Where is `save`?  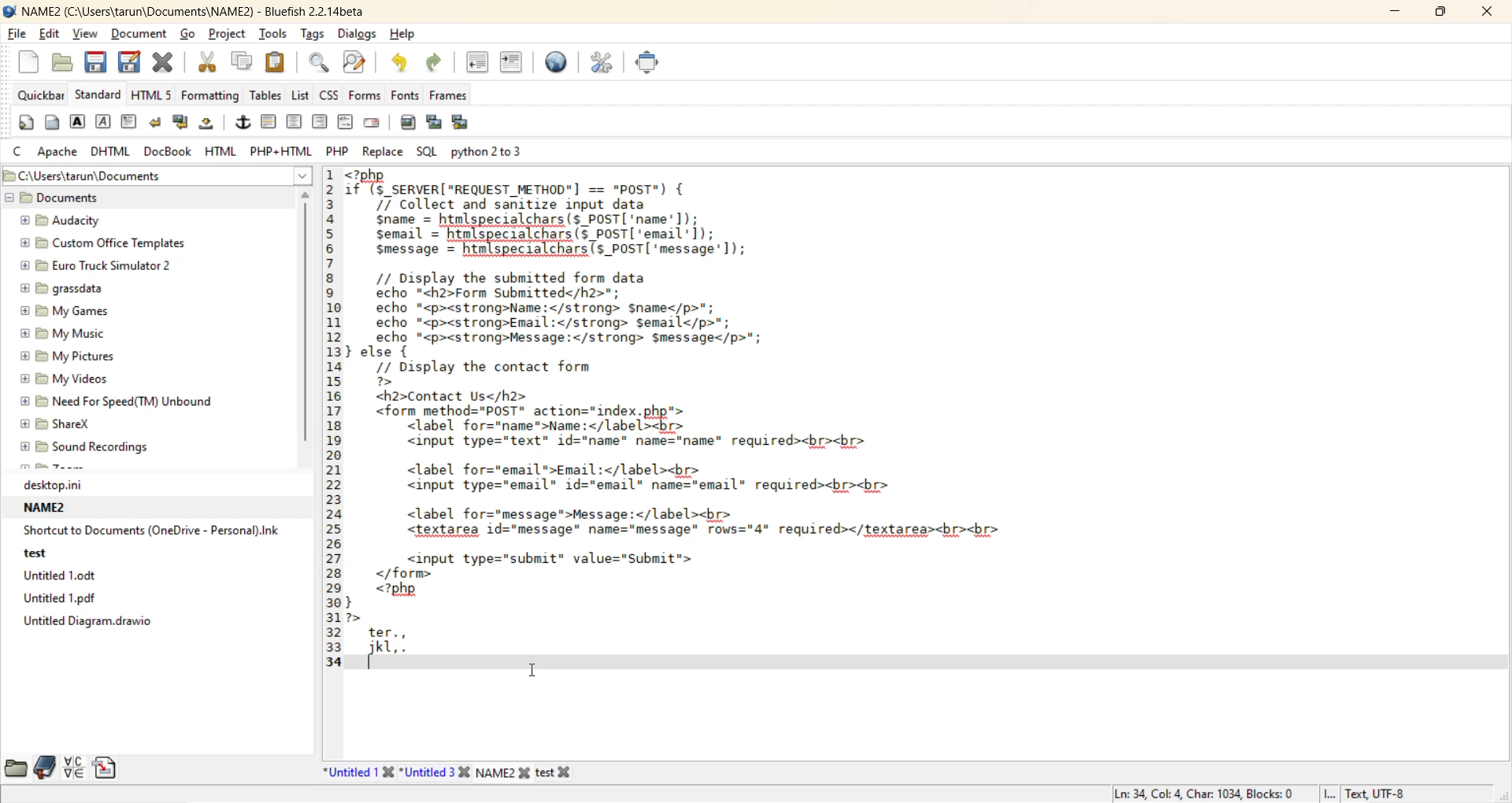
save is located at coordinates (94, 65).